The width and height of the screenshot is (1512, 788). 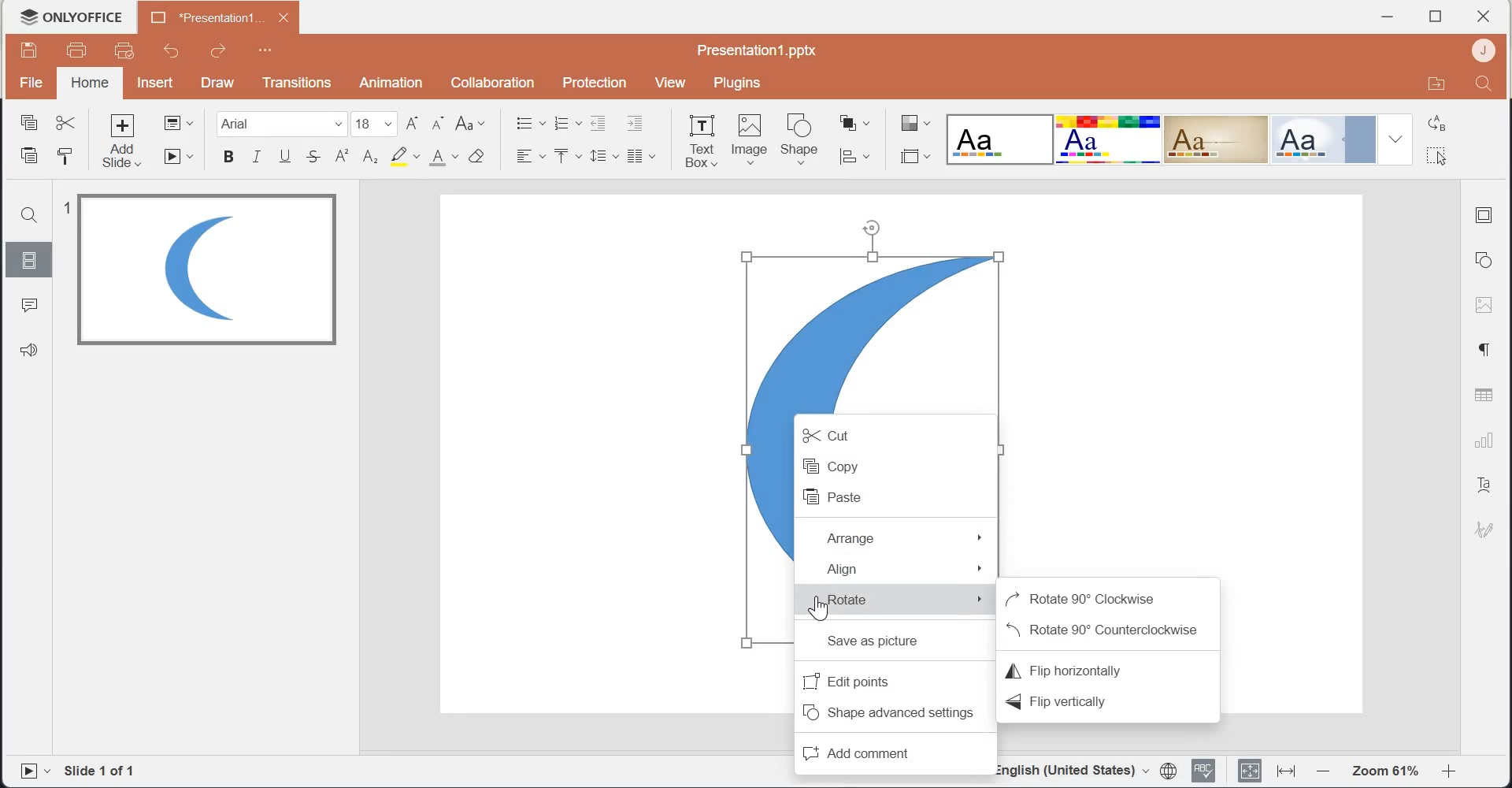 What do you see at coordinates (903, 537) in the screenshot?
I see `Arrange` at bounding box center [903, 537].